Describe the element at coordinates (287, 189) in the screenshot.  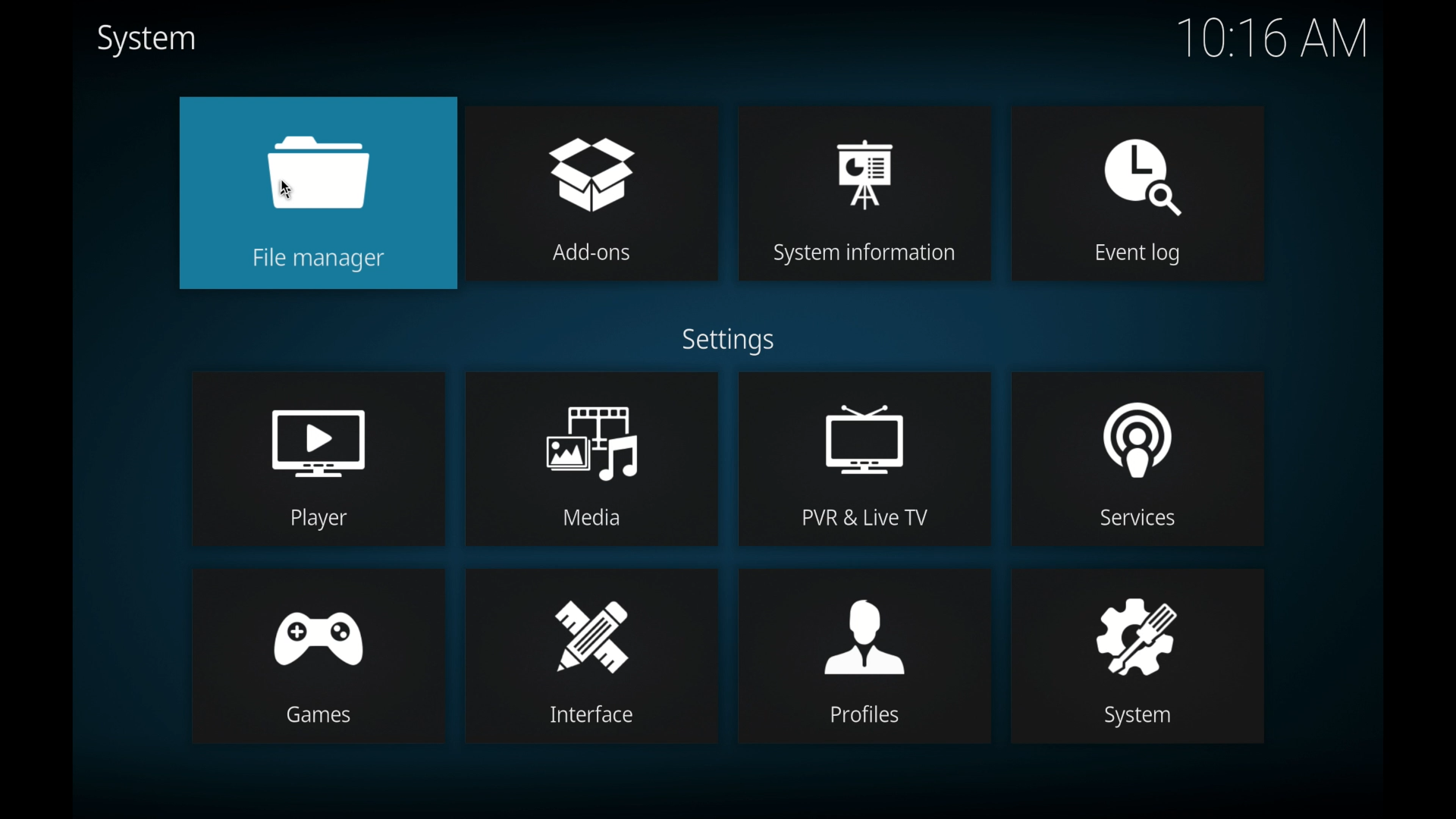
I see `cursor` at that location.